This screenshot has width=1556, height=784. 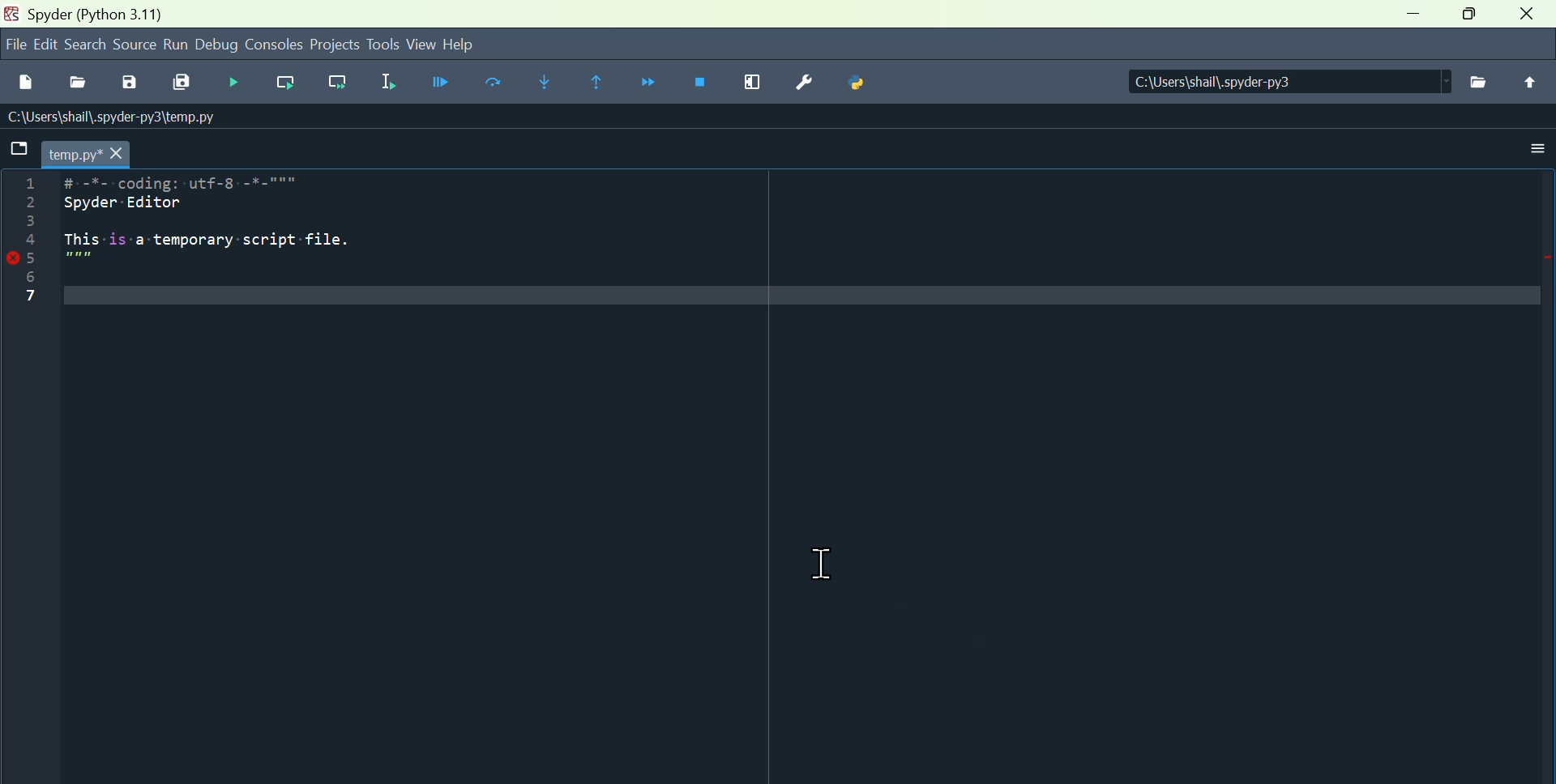 What do you see at coordinates (701, 79) in the screenshot?
I see `Stop debugging` at bounding box center [701, 79].